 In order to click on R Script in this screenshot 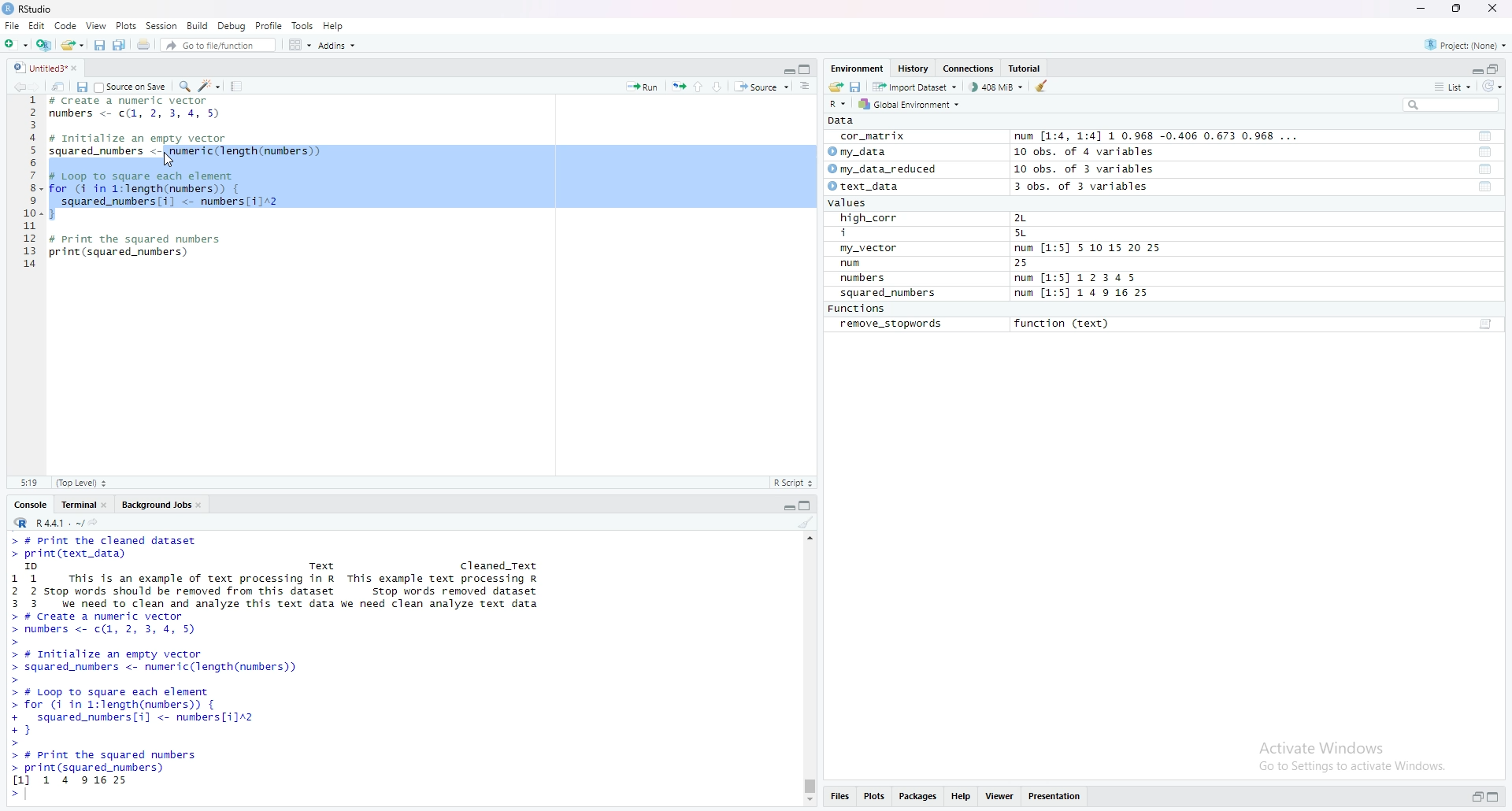, I will do `click(793, 482)`.